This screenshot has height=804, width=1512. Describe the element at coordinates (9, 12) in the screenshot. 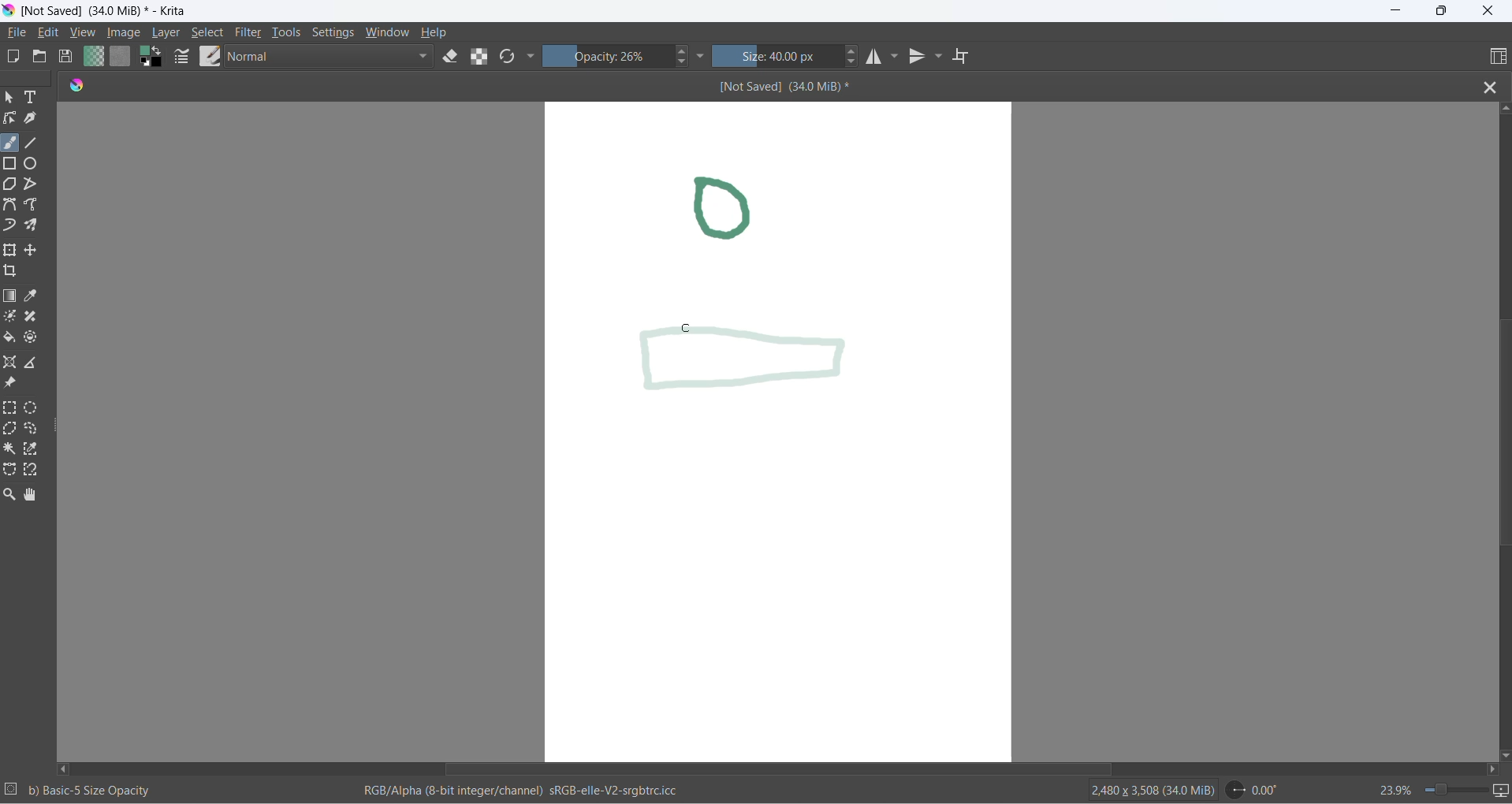

I see `app icon` at that location.